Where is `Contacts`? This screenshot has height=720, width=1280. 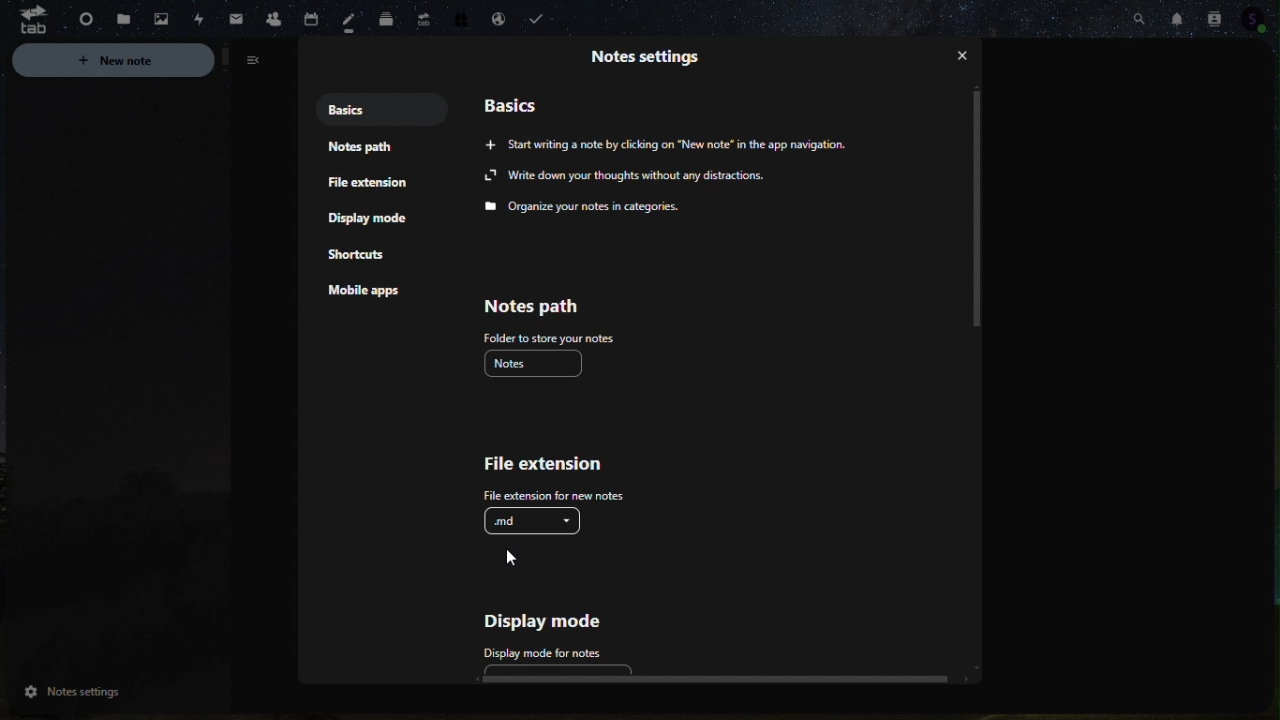
Contacts is located at coordinates (1214, 17).